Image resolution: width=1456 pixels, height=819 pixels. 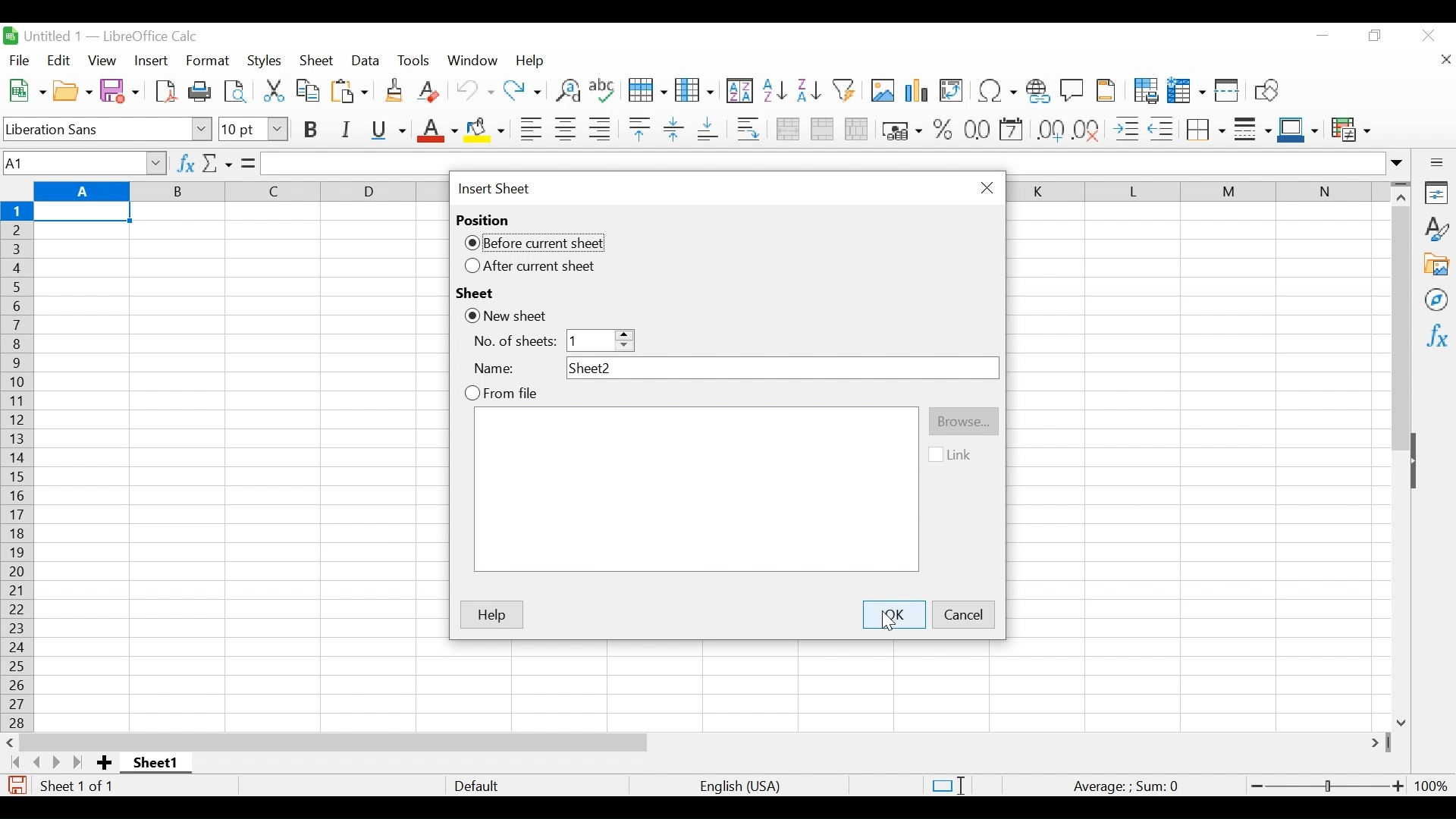 What do you see at coordinates (1431, 784) in the screenshot?
I see `100%` at bounding box center [1431, 784].